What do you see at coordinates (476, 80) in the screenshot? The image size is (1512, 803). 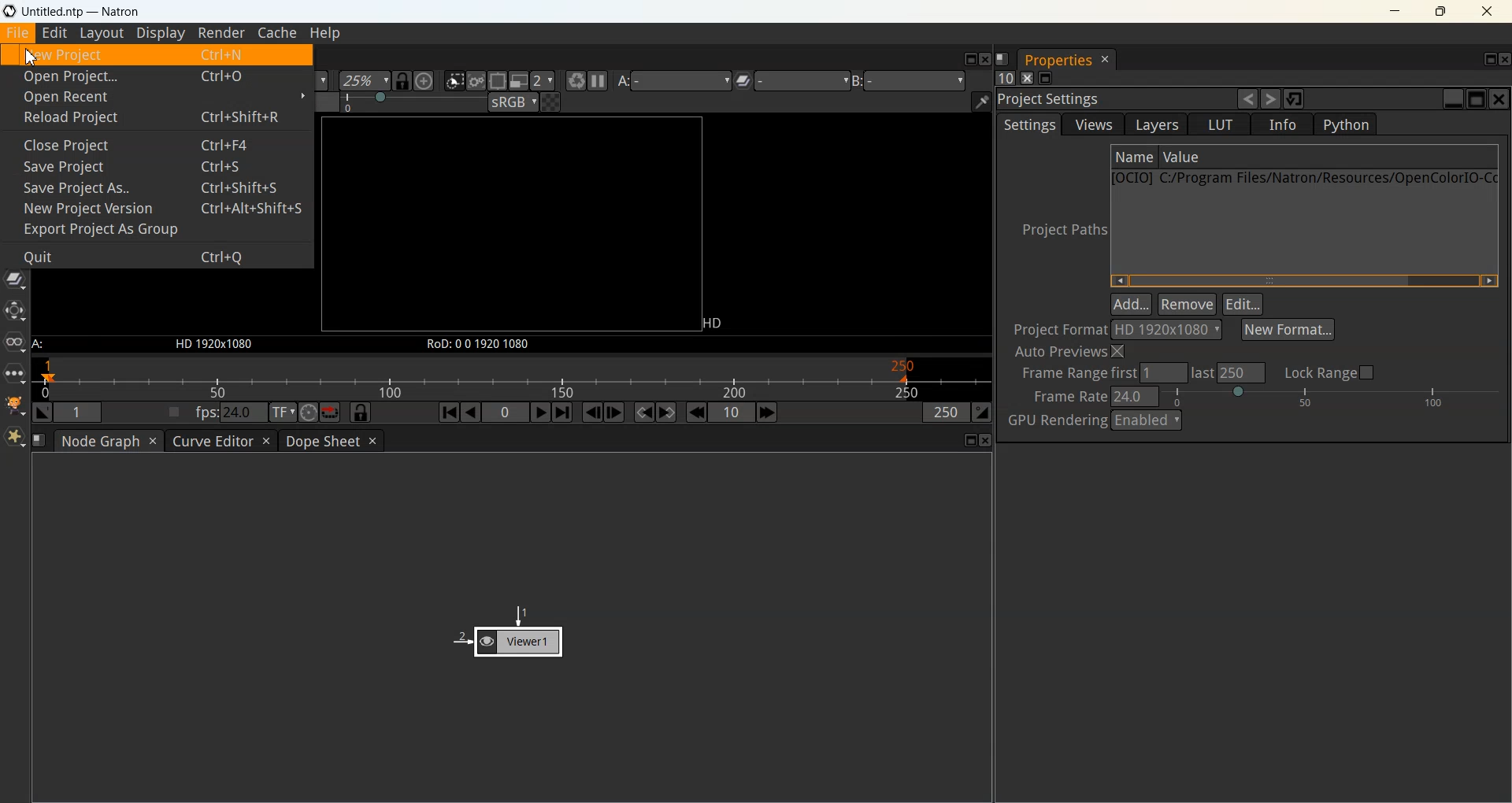 I see `Render the image` at bounding box center [476, 80].